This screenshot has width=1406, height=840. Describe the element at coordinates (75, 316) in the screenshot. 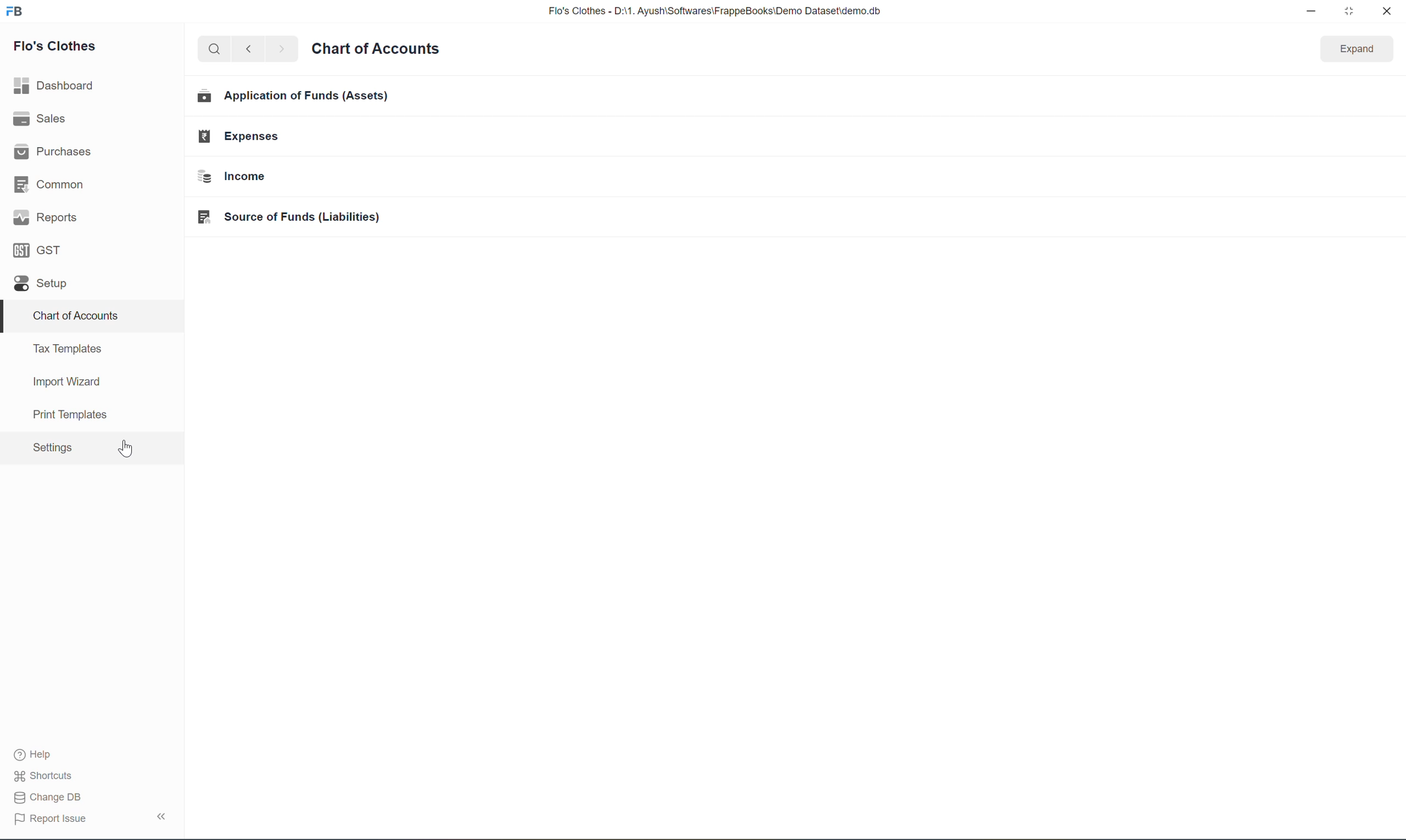

I see `Chart of Accounts` at that location.